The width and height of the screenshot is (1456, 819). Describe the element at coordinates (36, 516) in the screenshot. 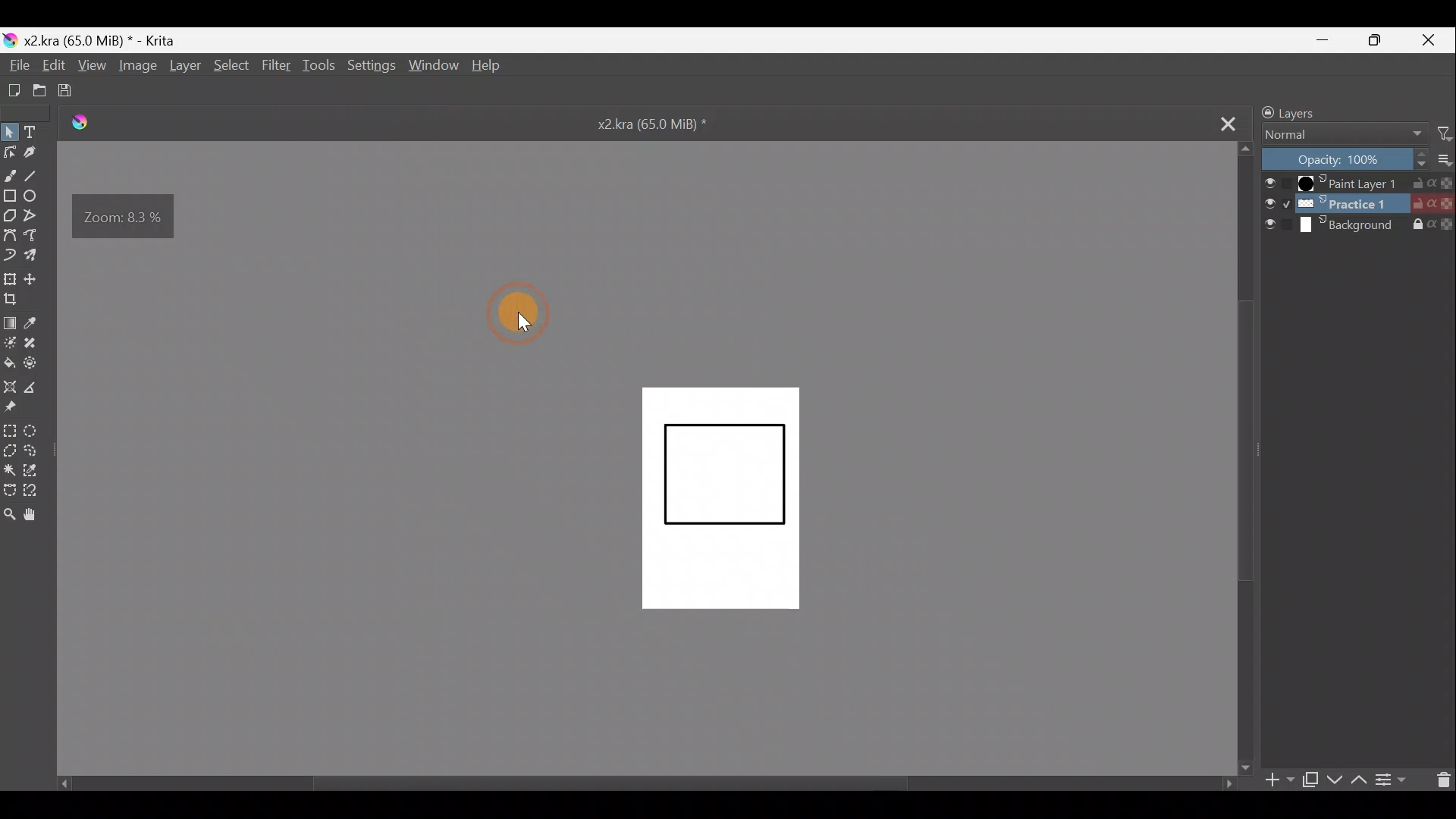

I see `Pan tool` at that location.